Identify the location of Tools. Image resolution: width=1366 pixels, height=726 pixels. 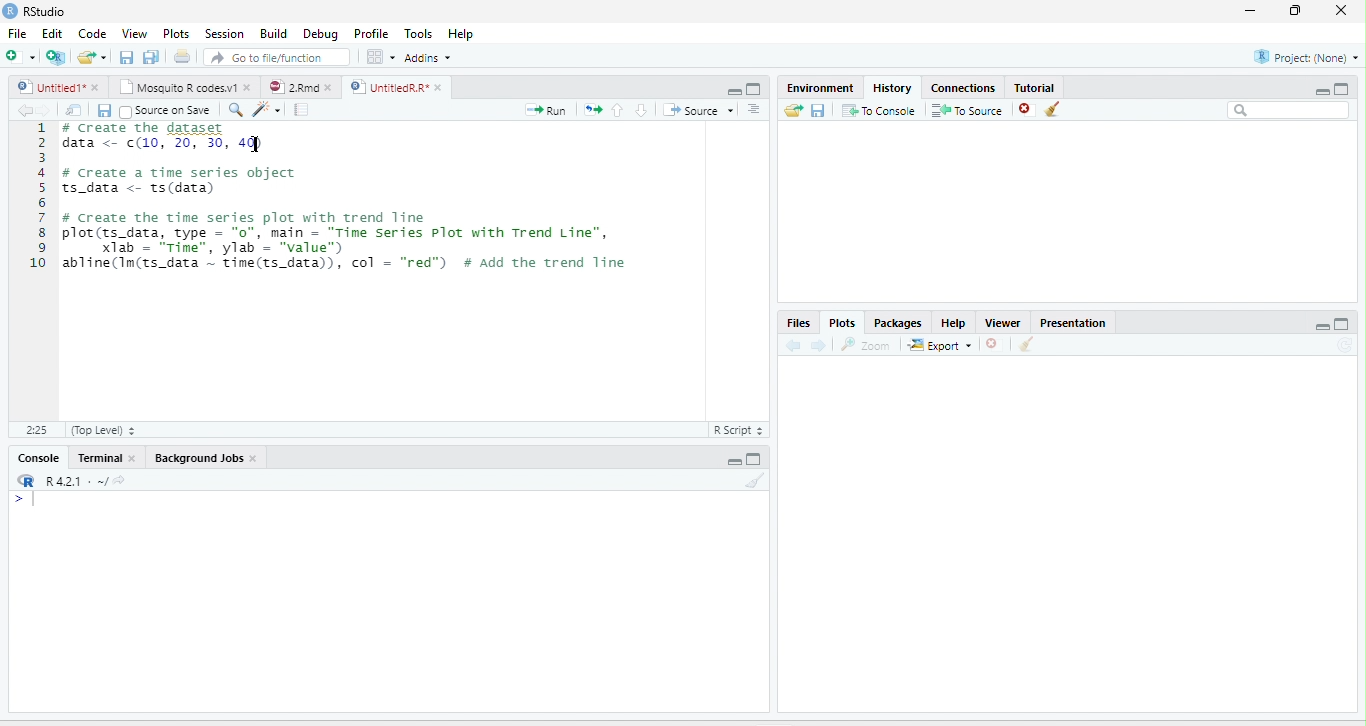
(417, 33).